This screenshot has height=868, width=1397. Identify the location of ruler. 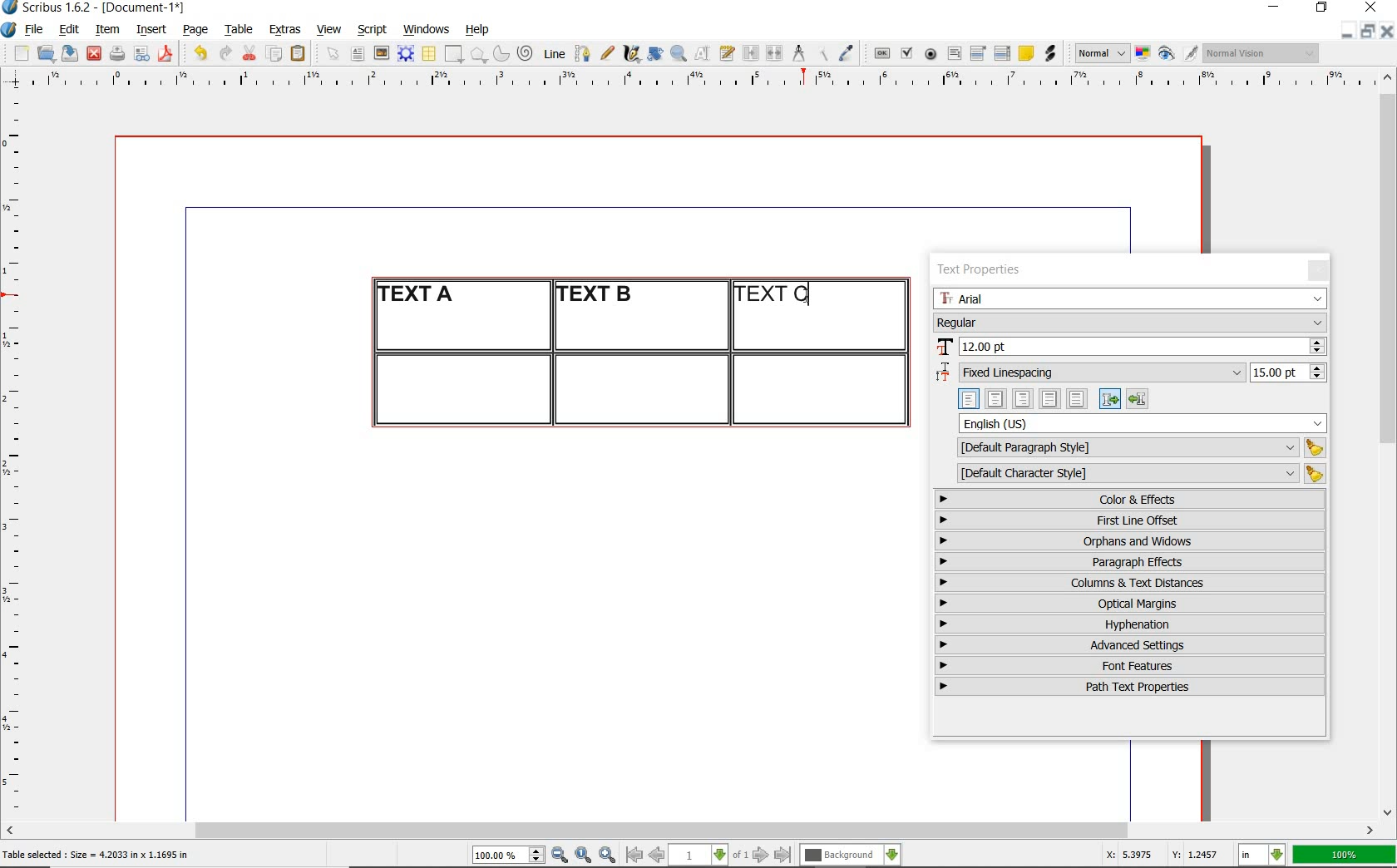
(709, 81).